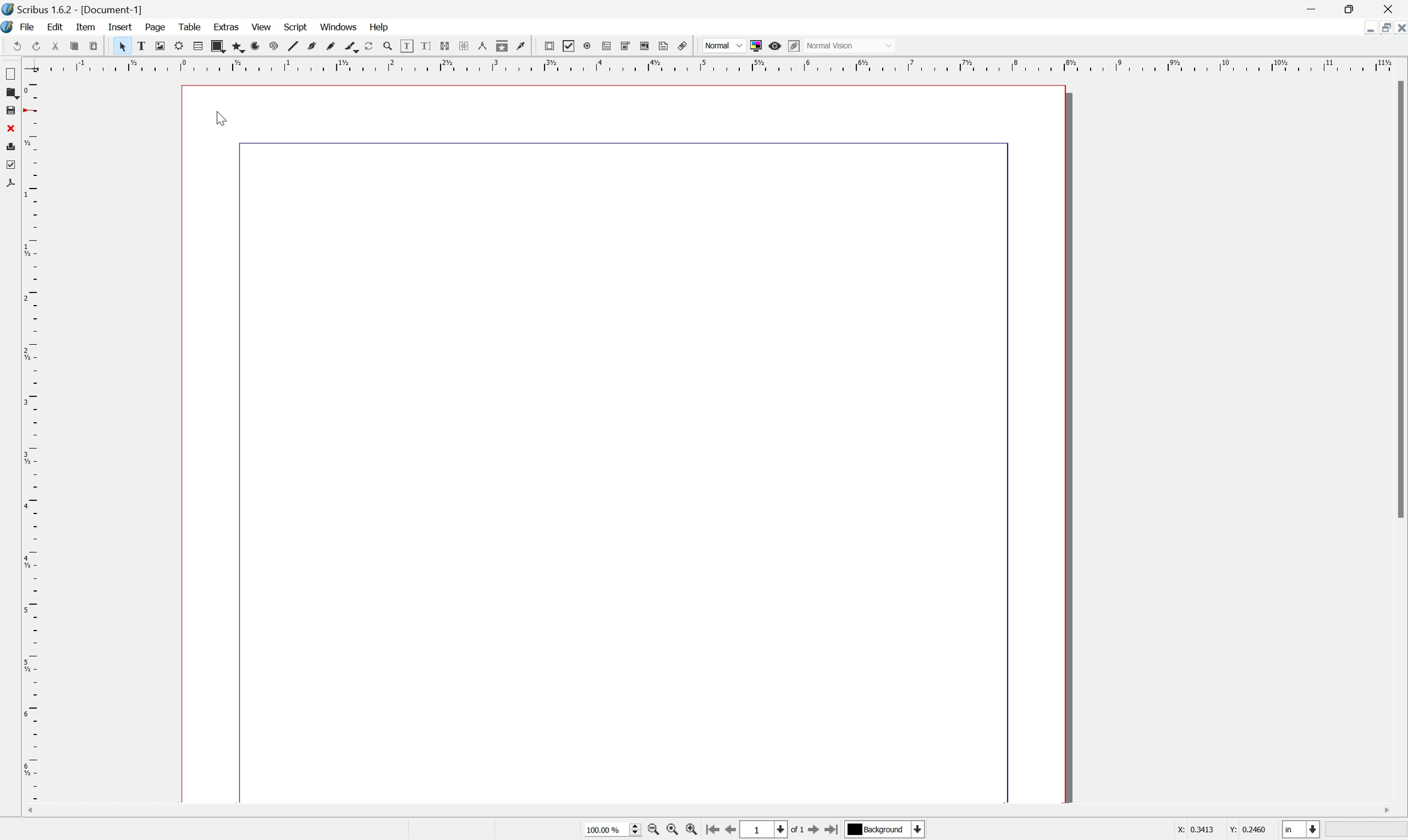  I want to click on scroll bar, so click(703, 811).